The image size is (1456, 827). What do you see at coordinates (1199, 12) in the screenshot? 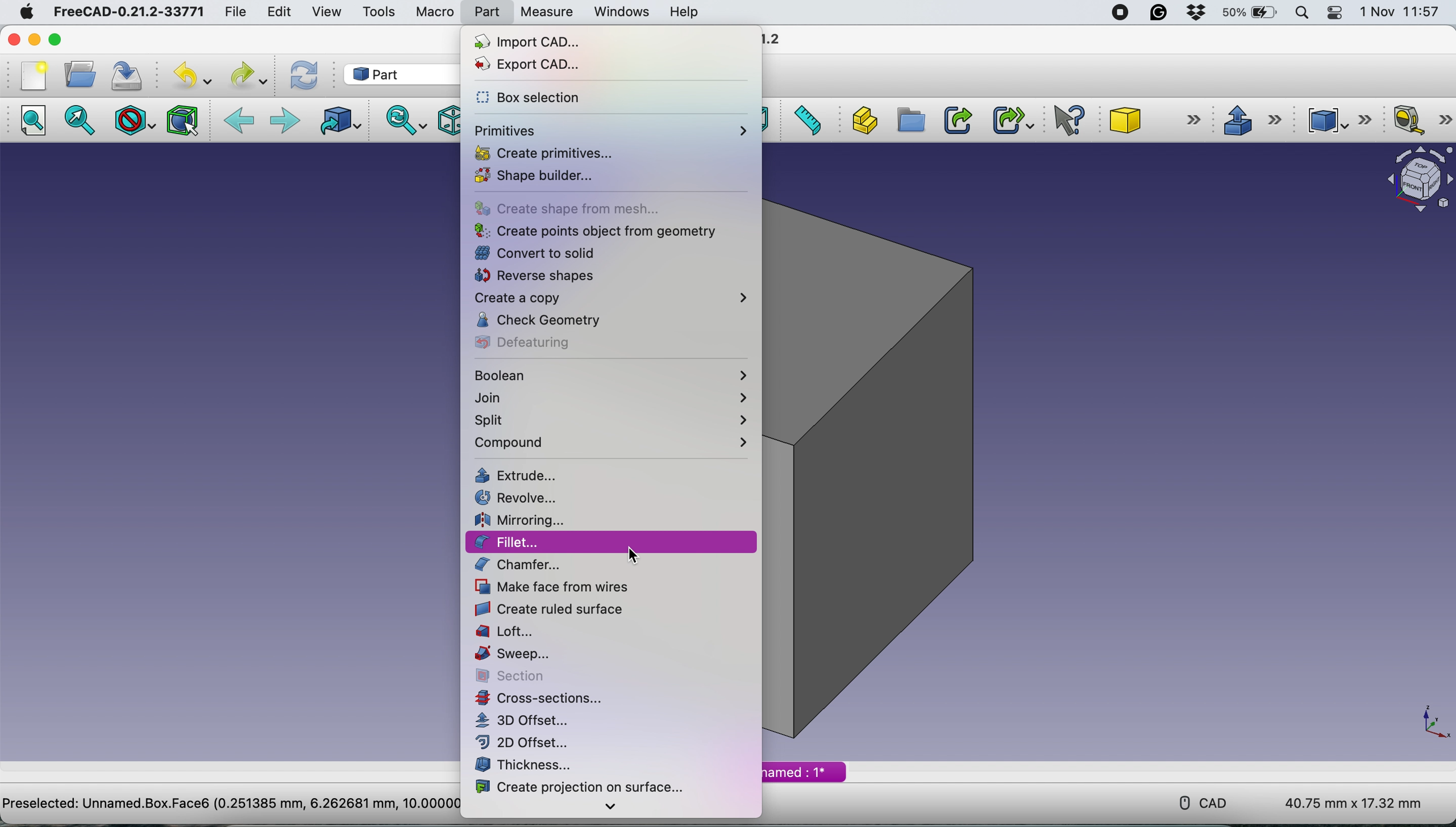
I see `dropbox` at bounding box center [1199, 12].